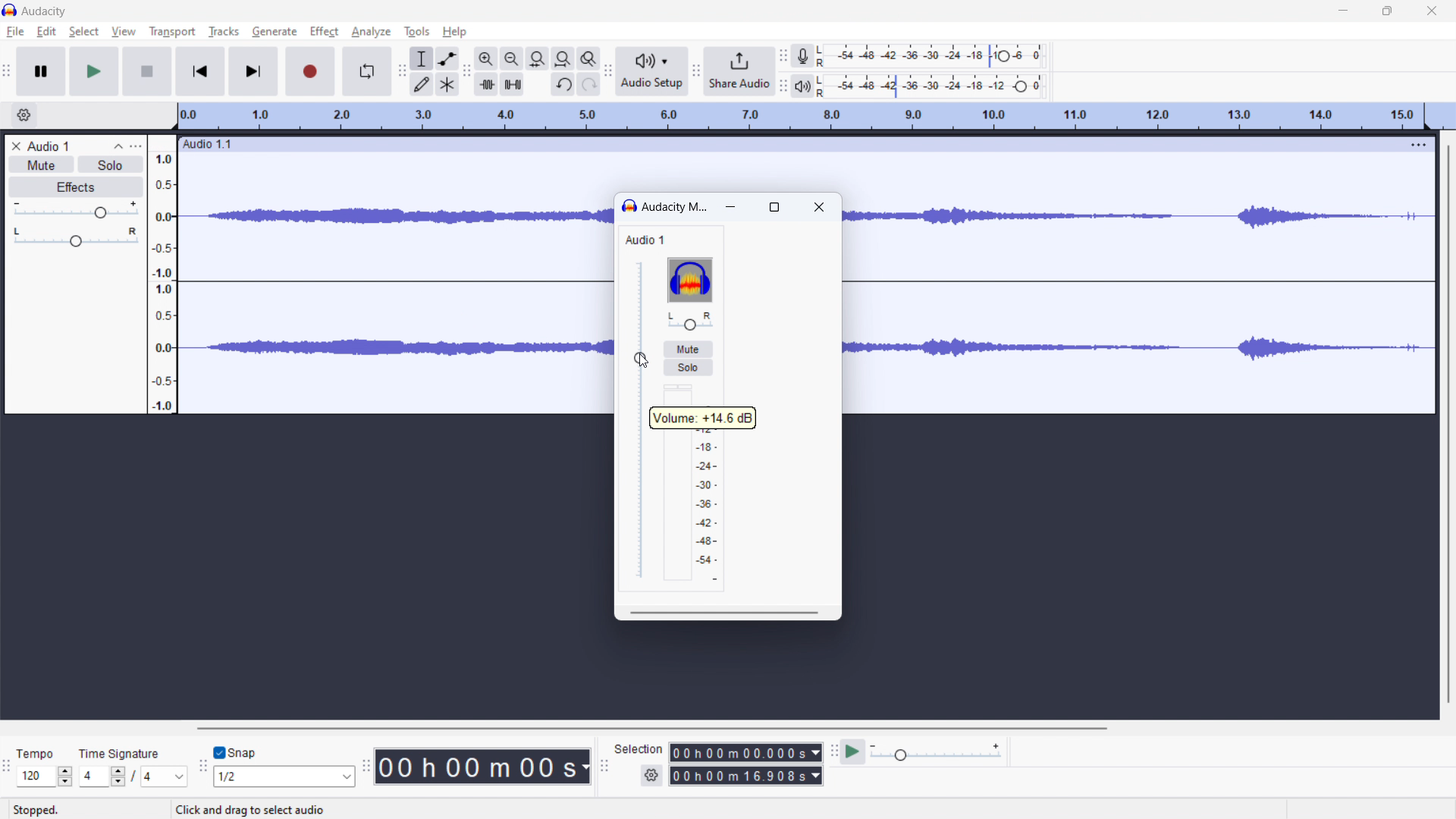 The height and width of the screenshot is (819, 1456). Describe the element at coordinates (639, 359) in the screenshot. I see `cursor` at that location.